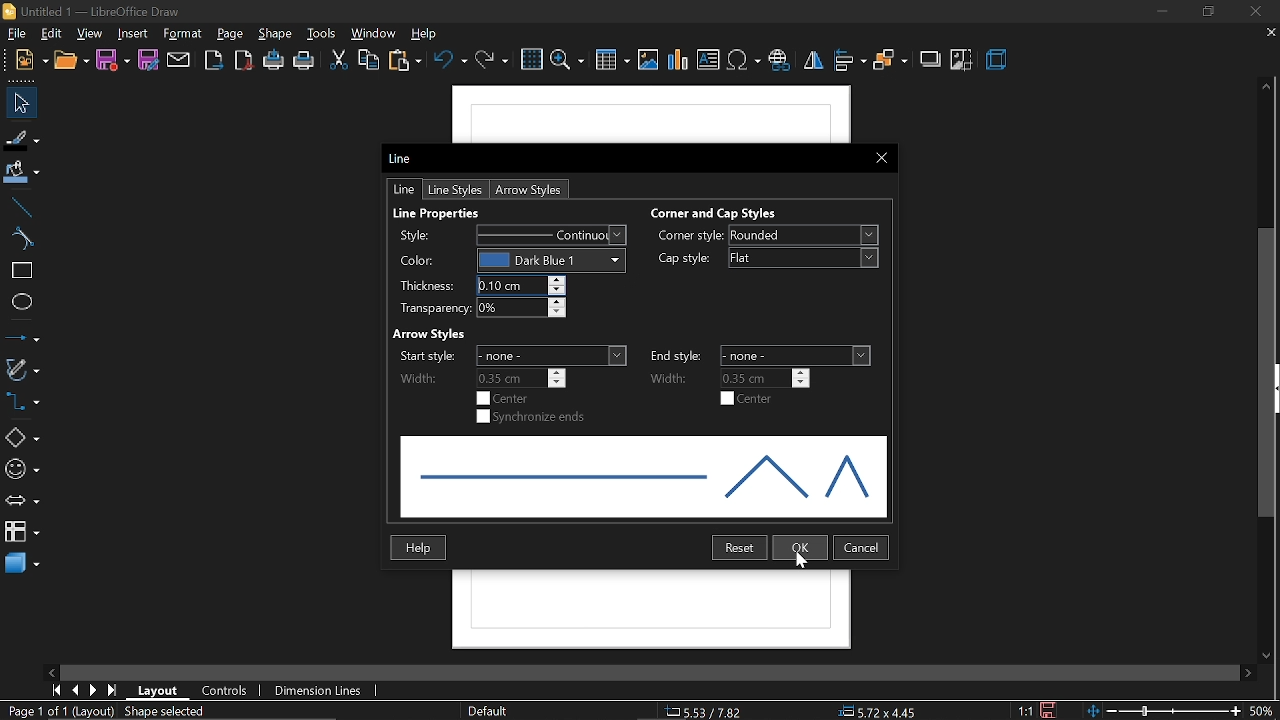  What do you see at coordinates (22, 337) in the screenshot?
I see `lines and arrows` at bounding box center [22, 337].